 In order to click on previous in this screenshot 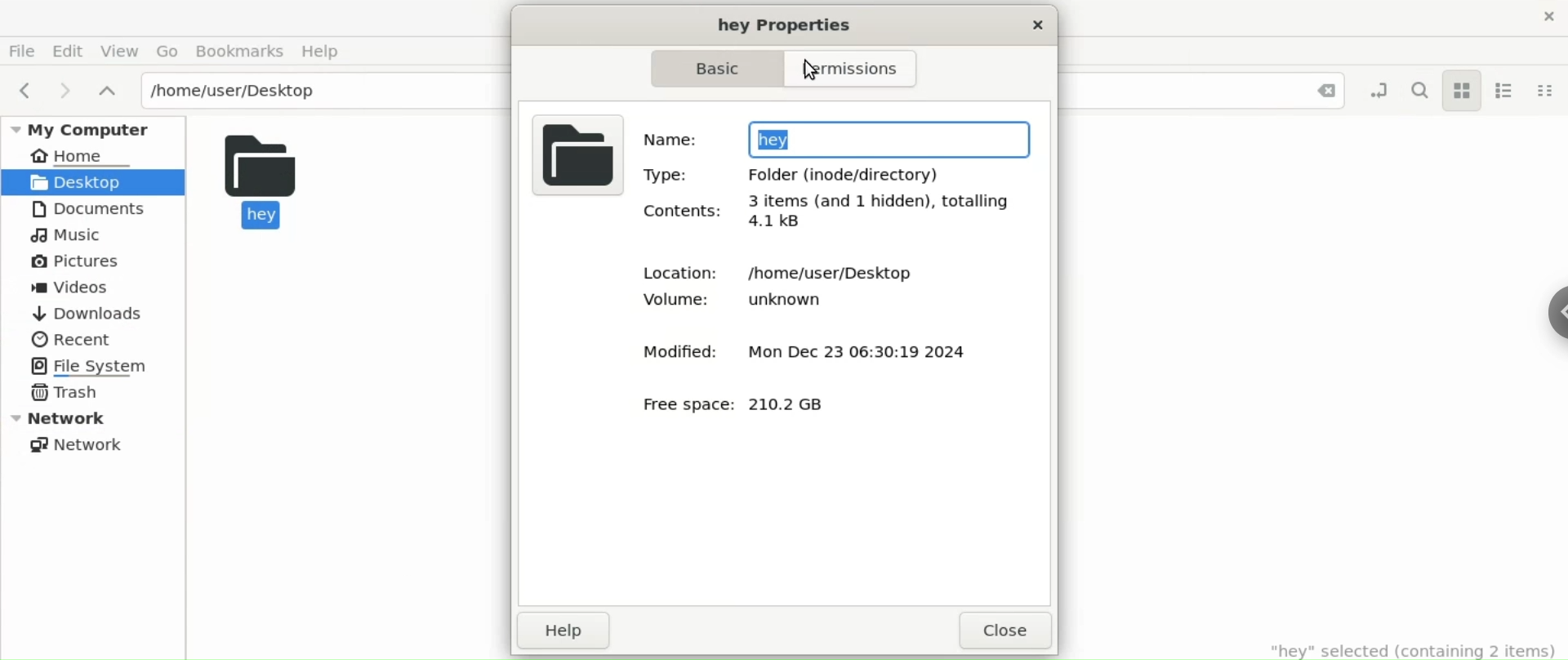, I will do `click(24, 90)`.